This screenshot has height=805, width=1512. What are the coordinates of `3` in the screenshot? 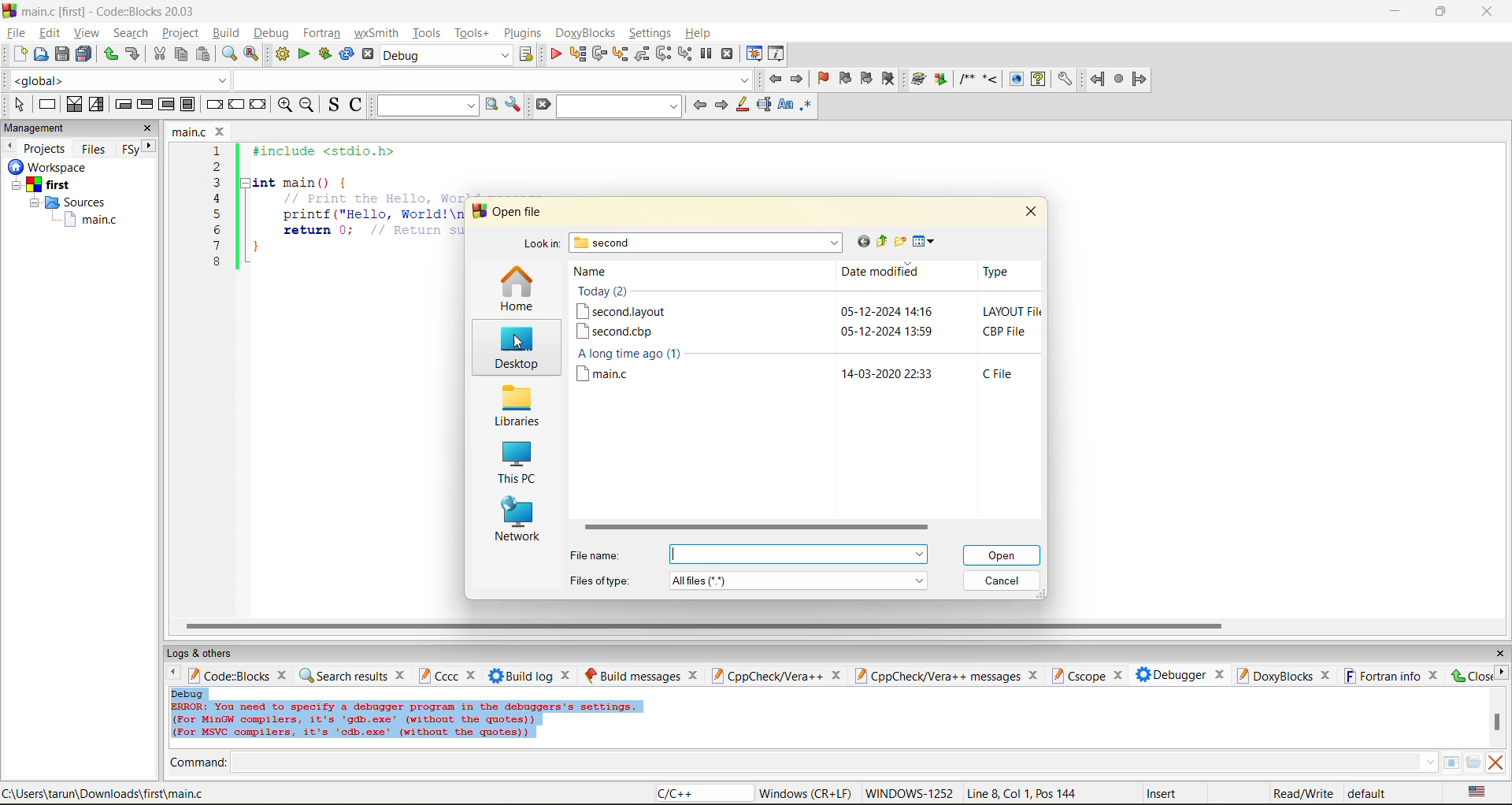 It's located at (217, 182).